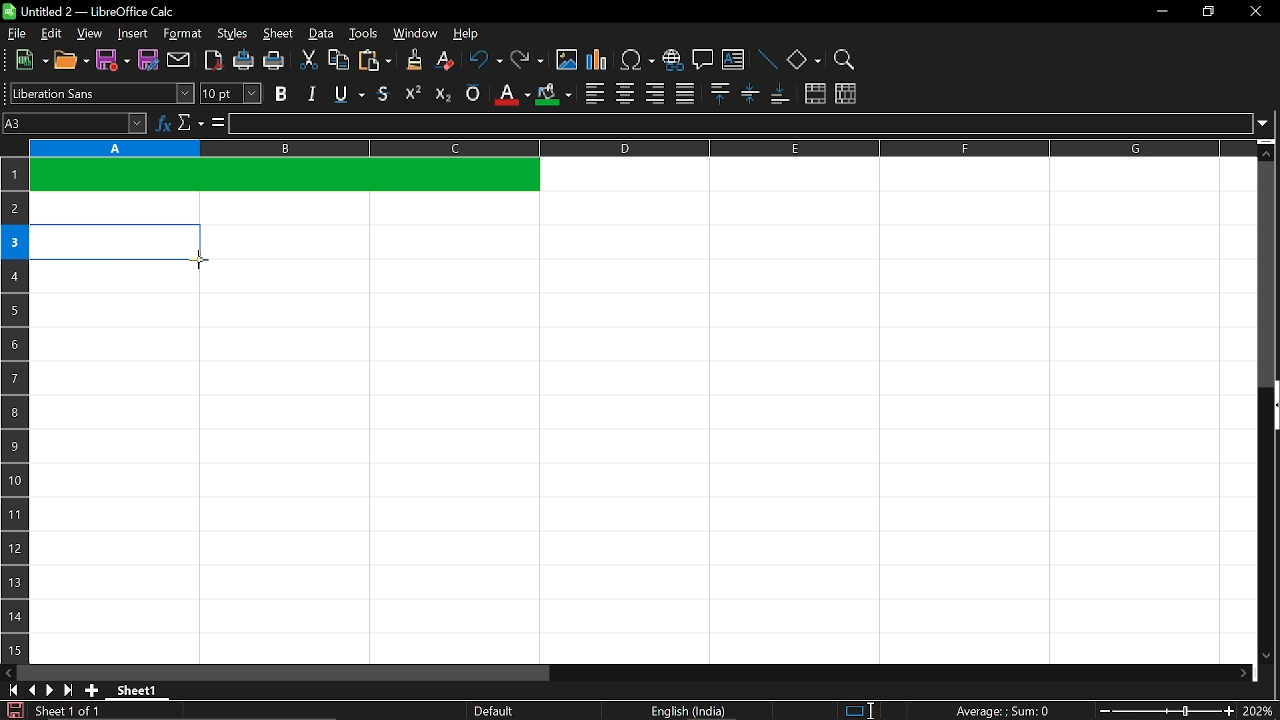 The image size is (1280, 720). Describe the element at coordinates (216, 123) in the screenshot. I see `formula` at that location.